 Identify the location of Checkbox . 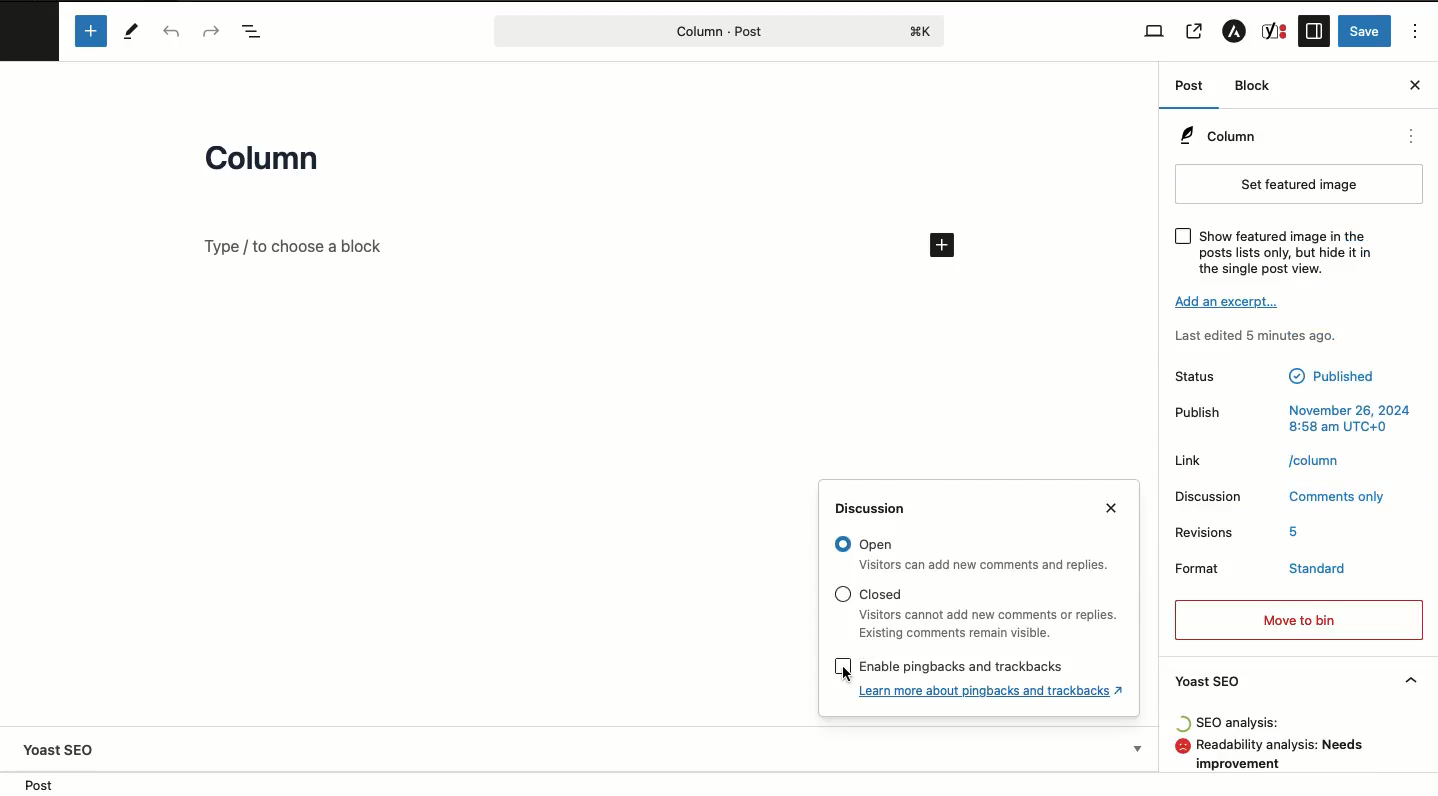
(842, 594).